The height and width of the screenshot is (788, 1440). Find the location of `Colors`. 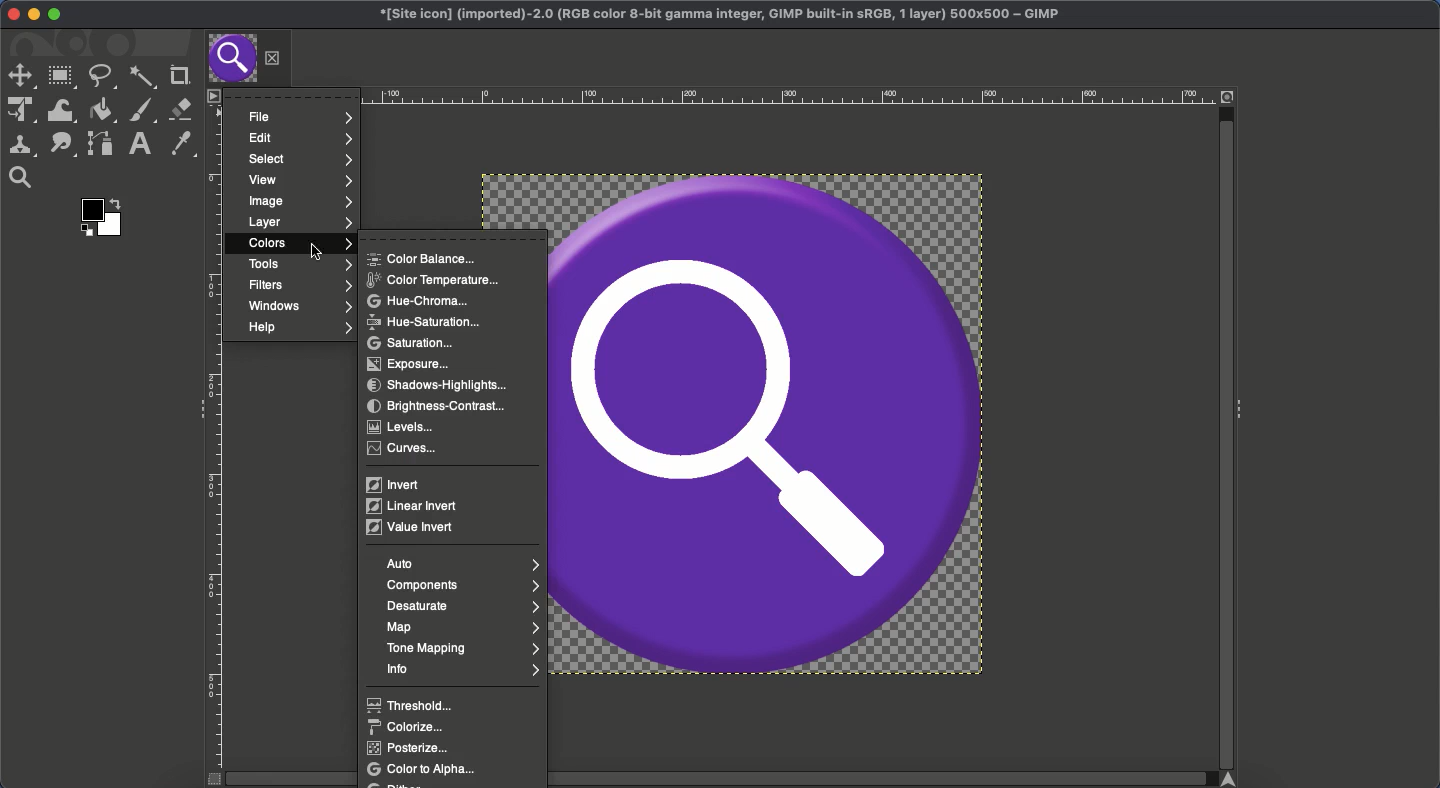

Colors is located at coordinates (299, 244).